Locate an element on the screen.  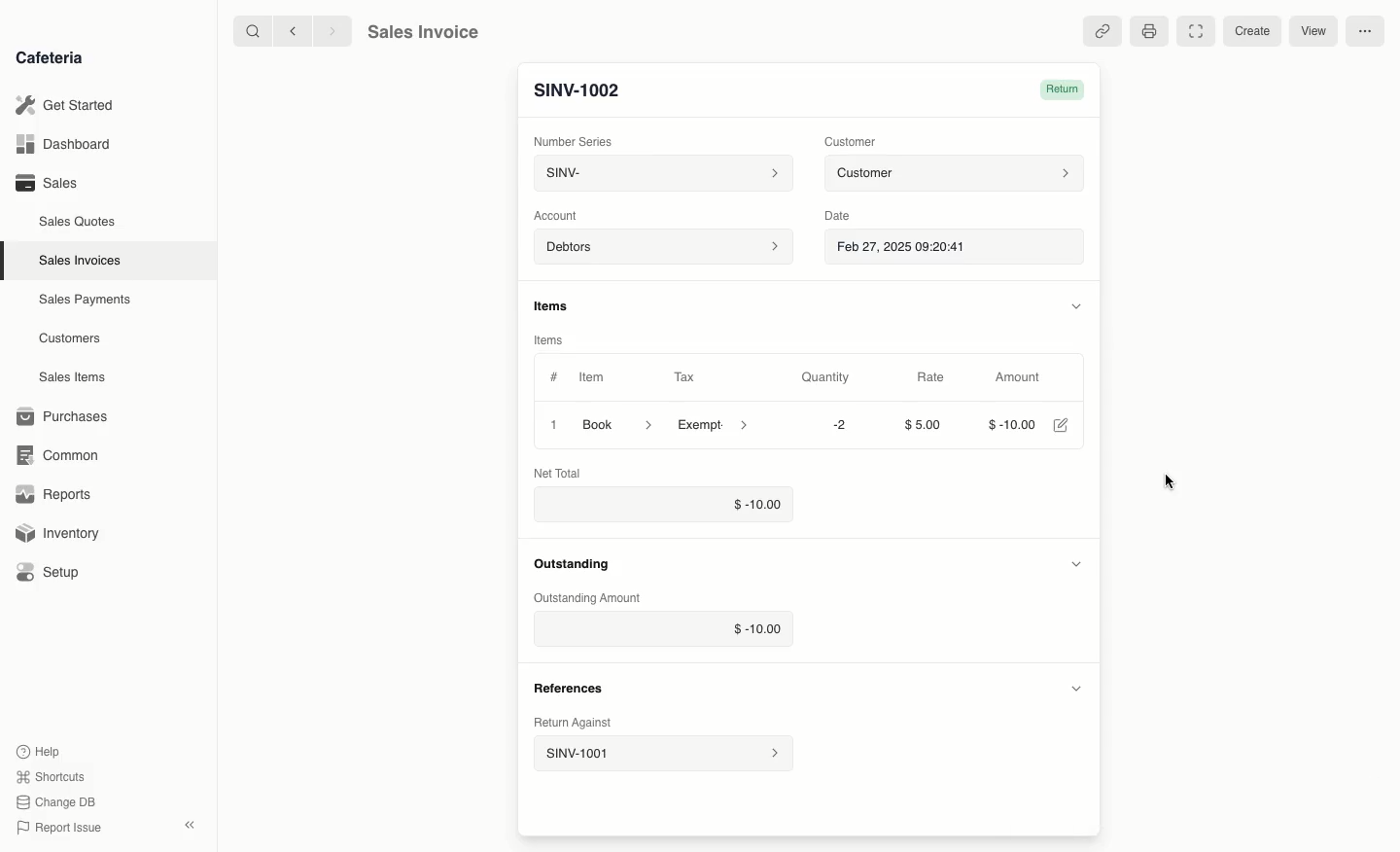
Sales Quotes is located at coordinates (78, 224).